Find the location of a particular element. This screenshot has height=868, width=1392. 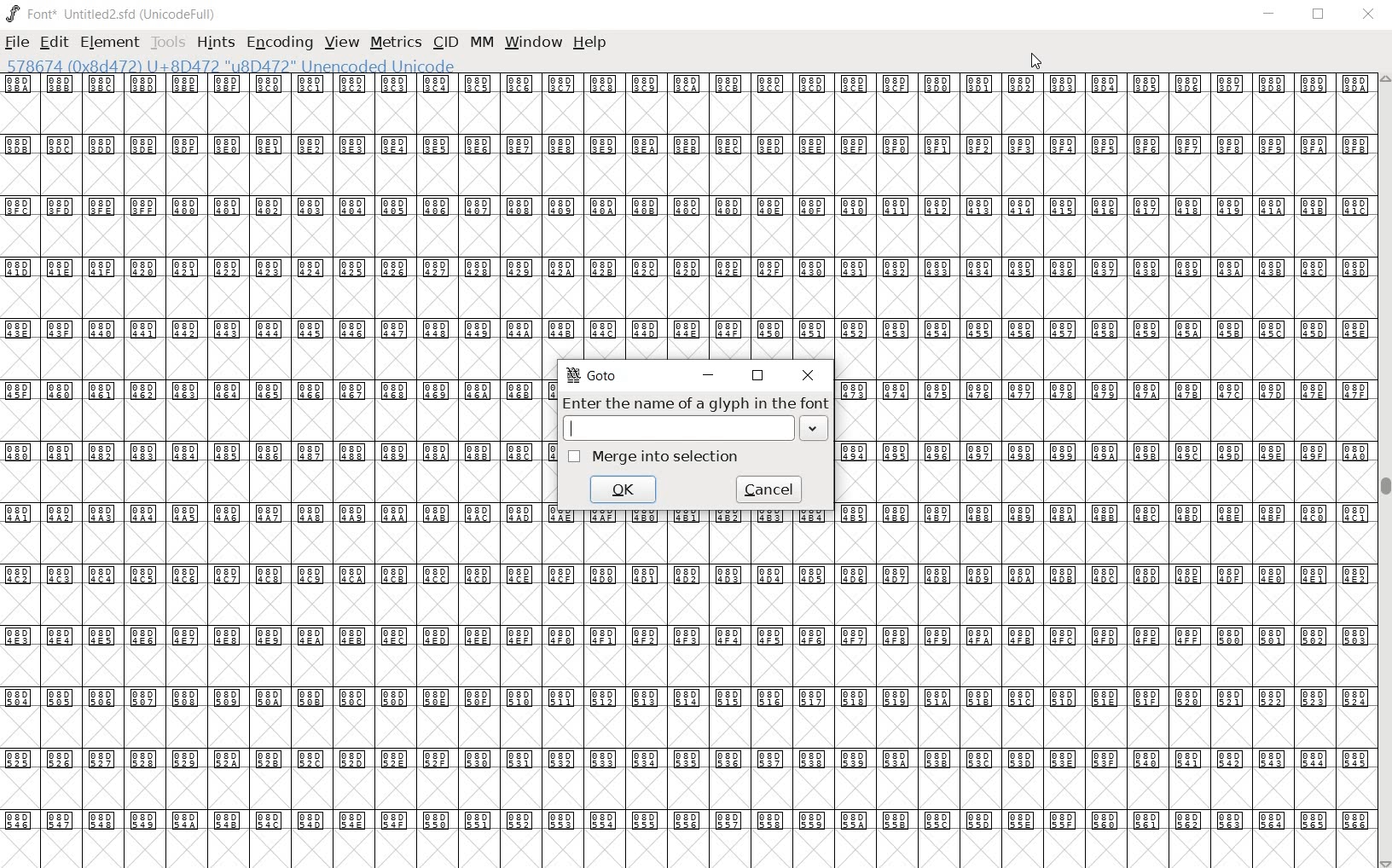

minimize is located at coordinates (1271, 14).